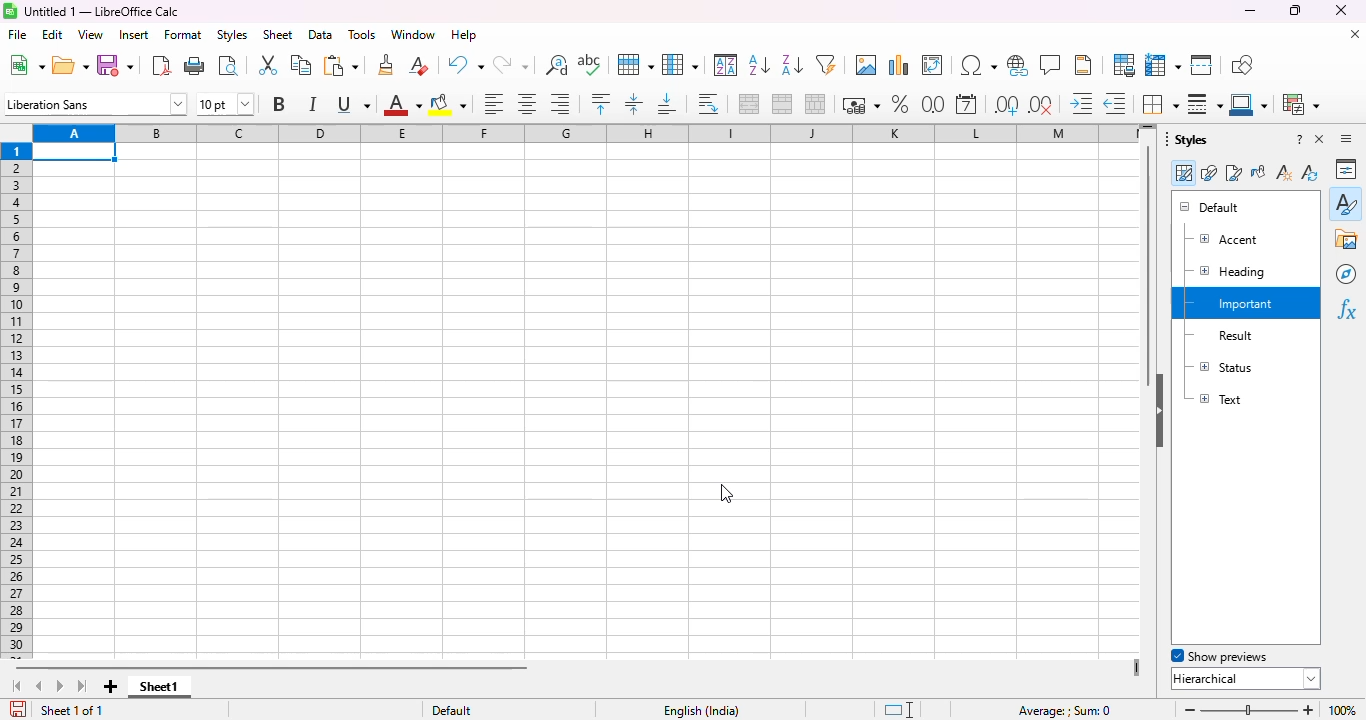 The width and height of the screenshot is (1366, 720). I want to click on fill format mode, so click(1258, 172).